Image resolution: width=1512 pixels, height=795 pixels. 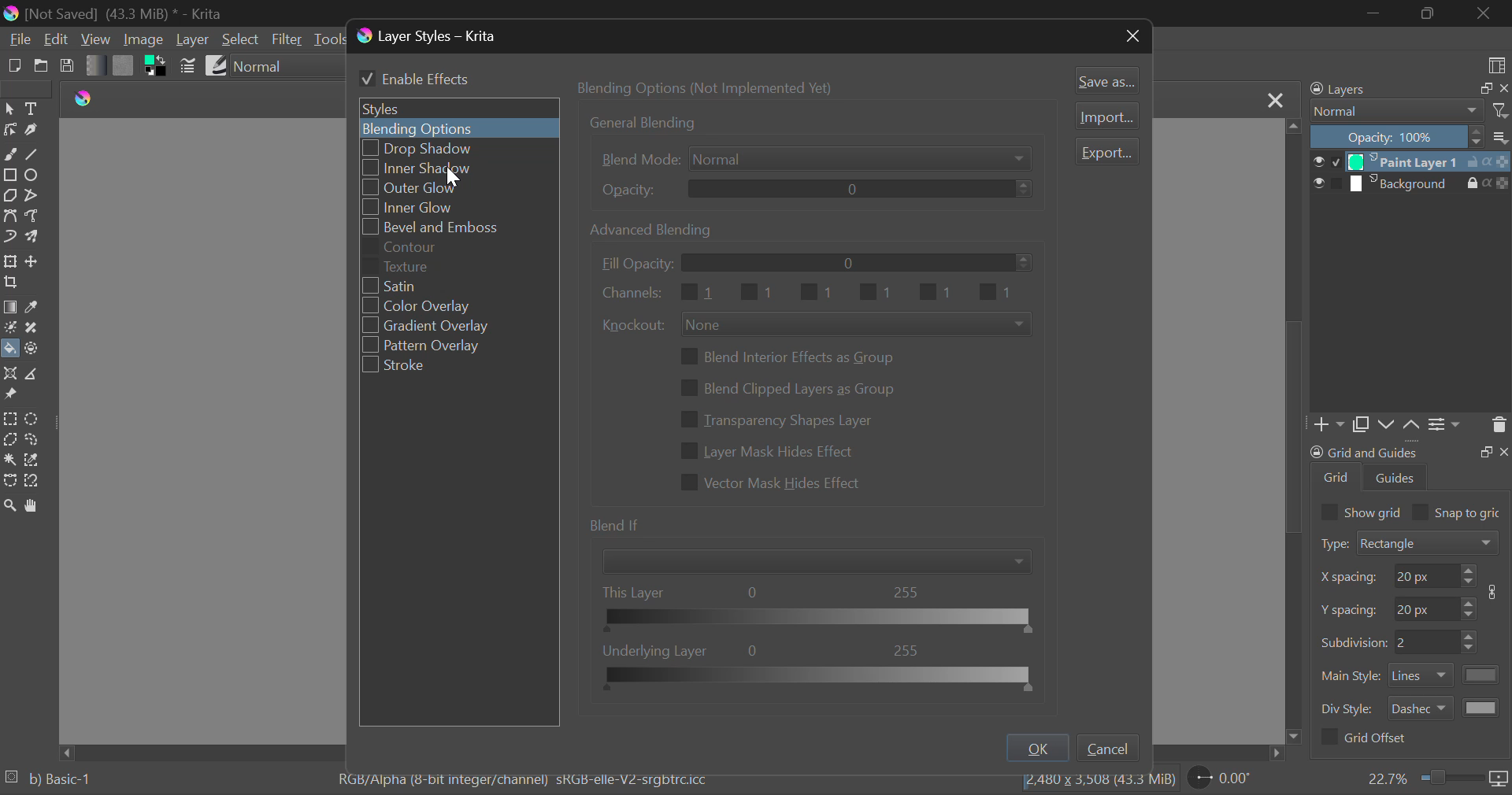 I want to click on Grid and Guides Docker Tab, so click(x=1410, y=469).